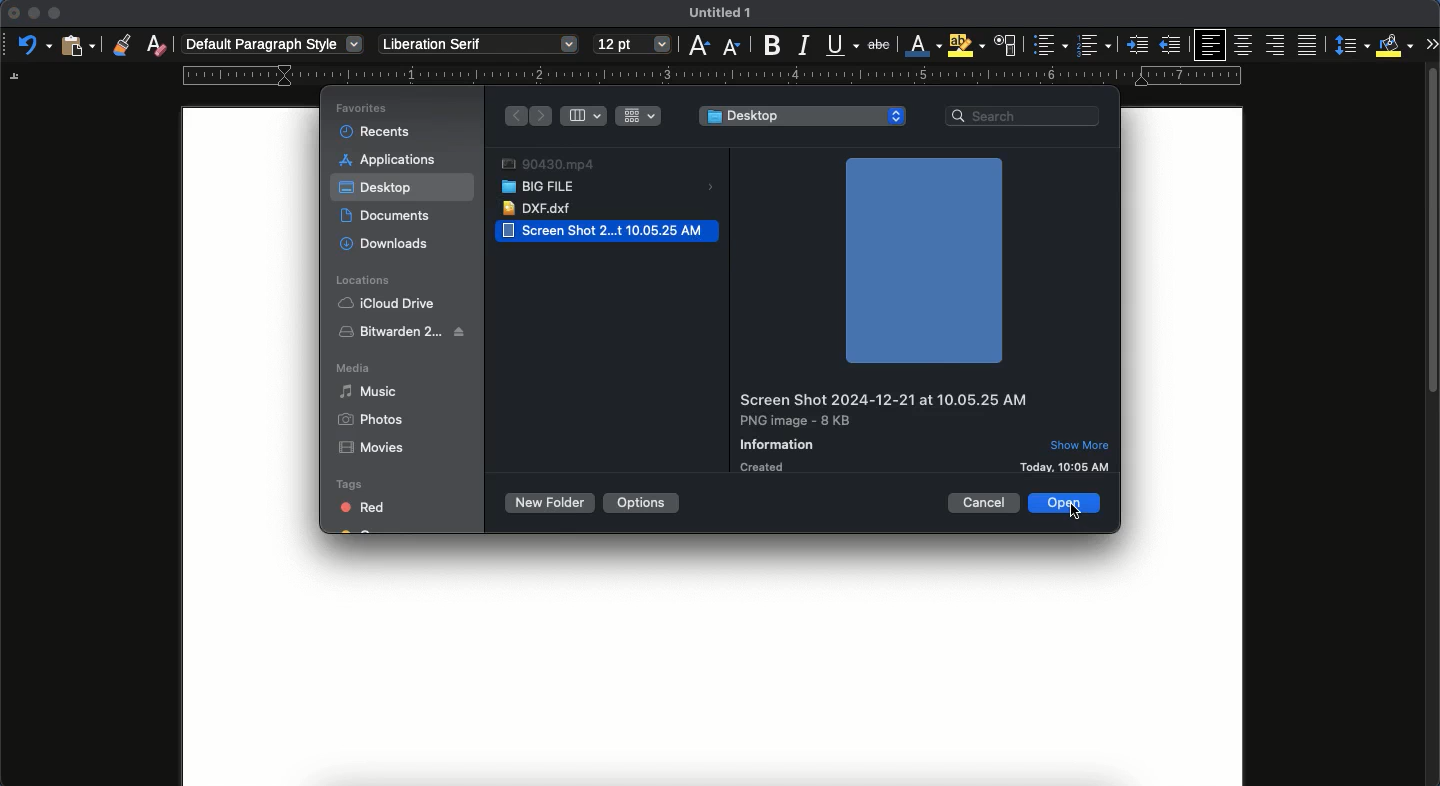  I want to click on click, so click(1077, 518).